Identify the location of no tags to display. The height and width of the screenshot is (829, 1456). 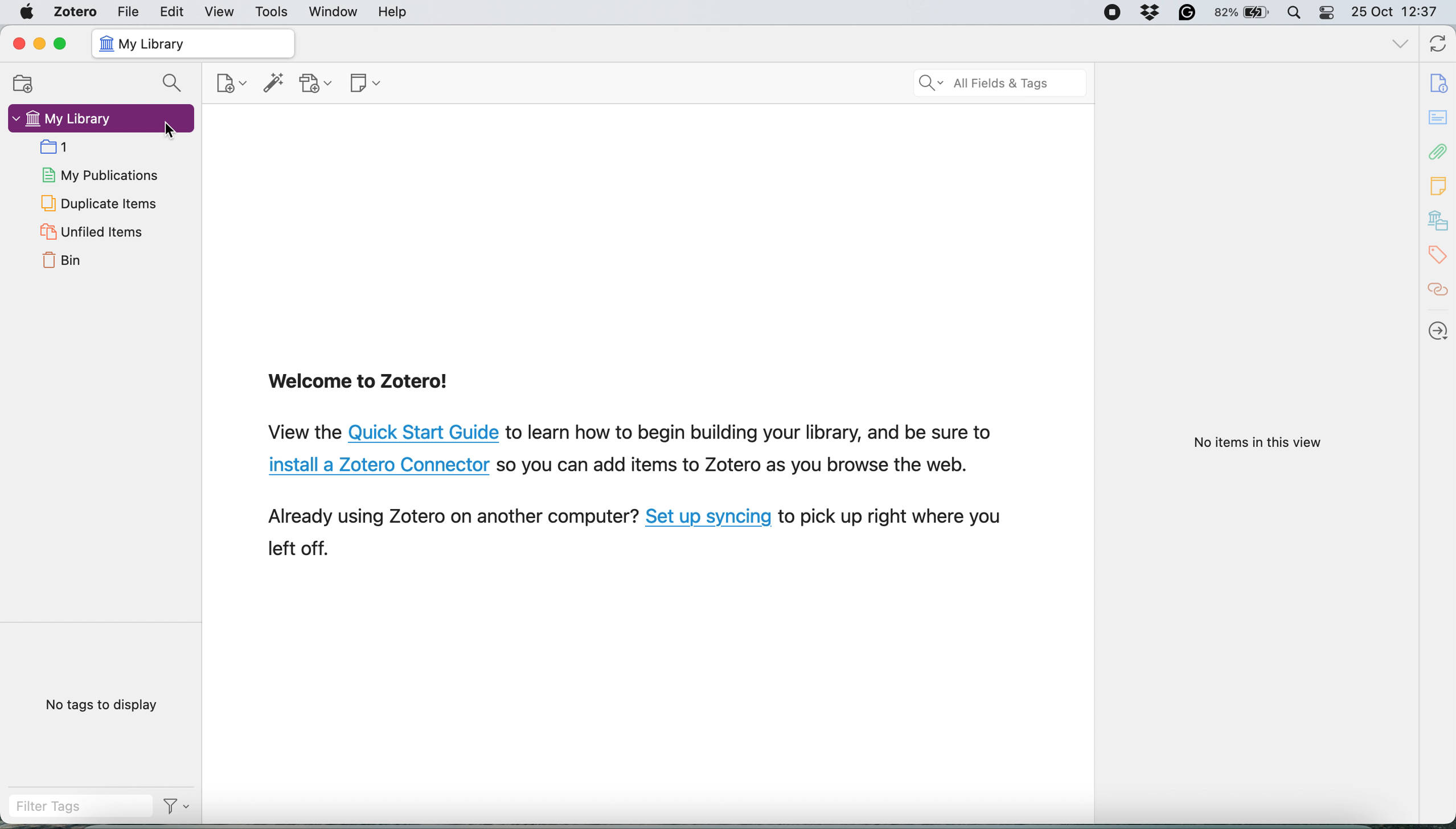
(100, 704).